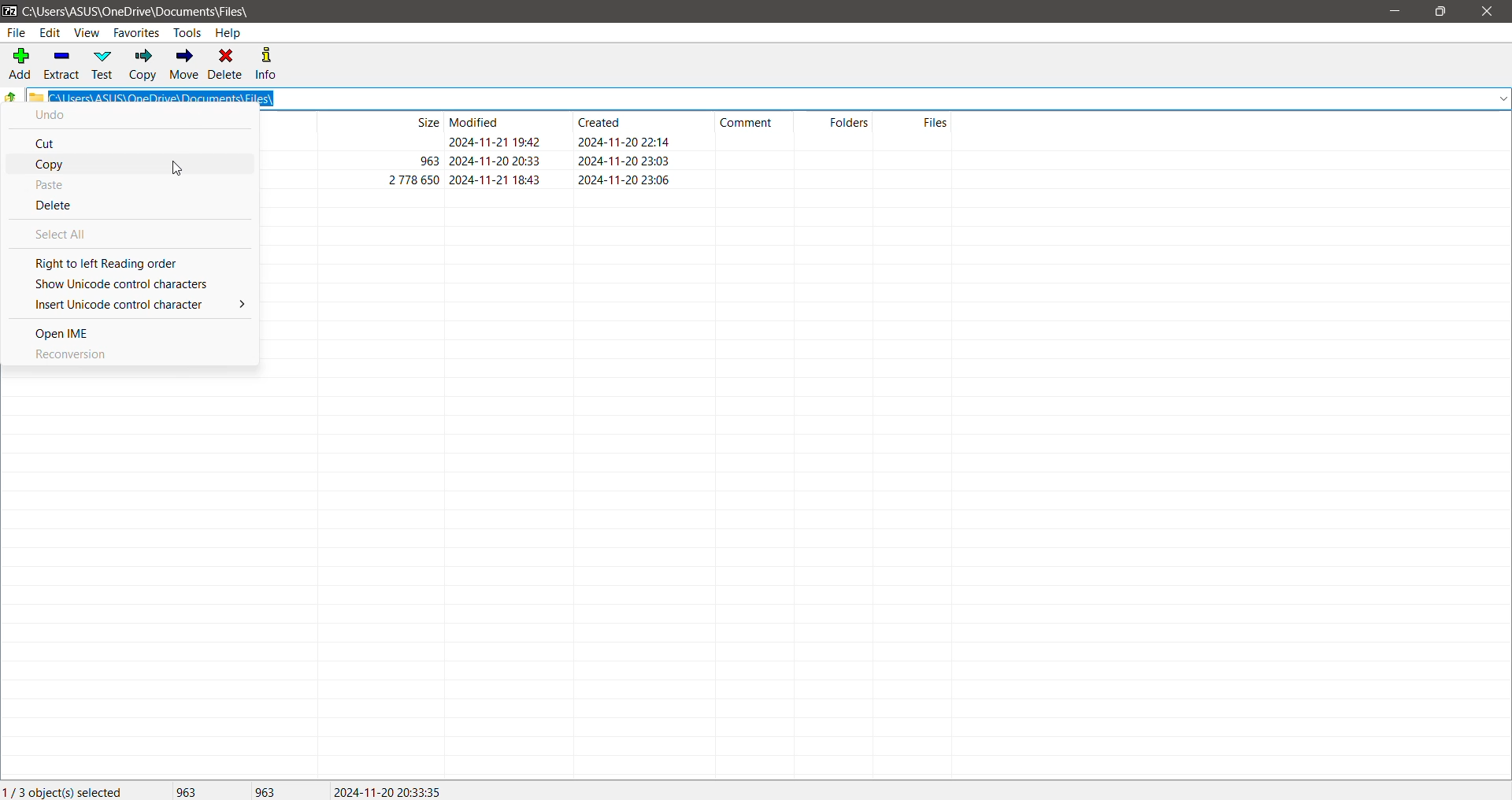 The height and width of the screenshot is (800, 1512). What do you see at coordinates (394, 791) in the screenshot?
I see `Modified Date of the last selected file` at bounding box center [394, 791].